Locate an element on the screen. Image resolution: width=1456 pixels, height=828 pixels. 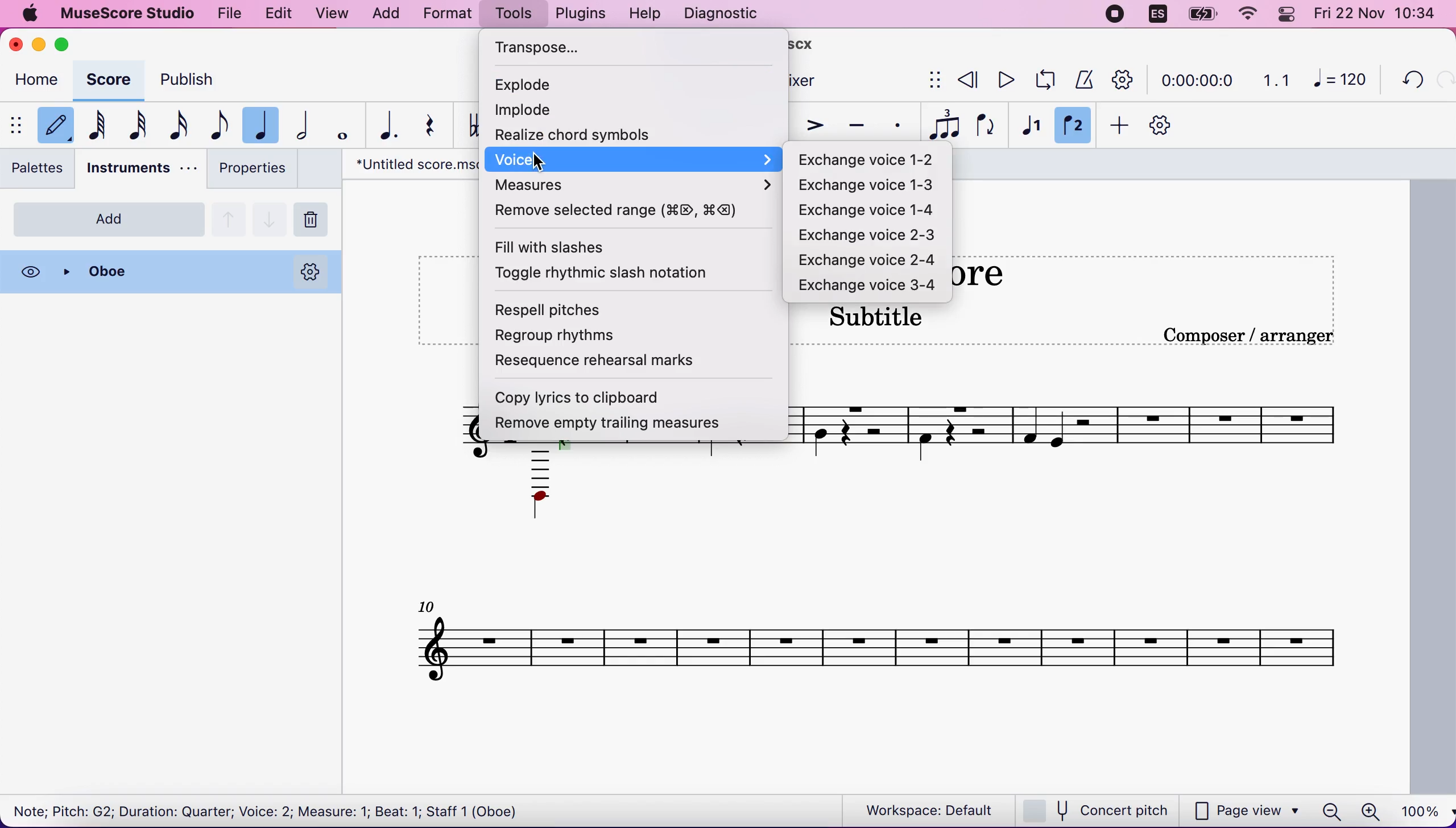
time is located at coordinates (1195, 78).